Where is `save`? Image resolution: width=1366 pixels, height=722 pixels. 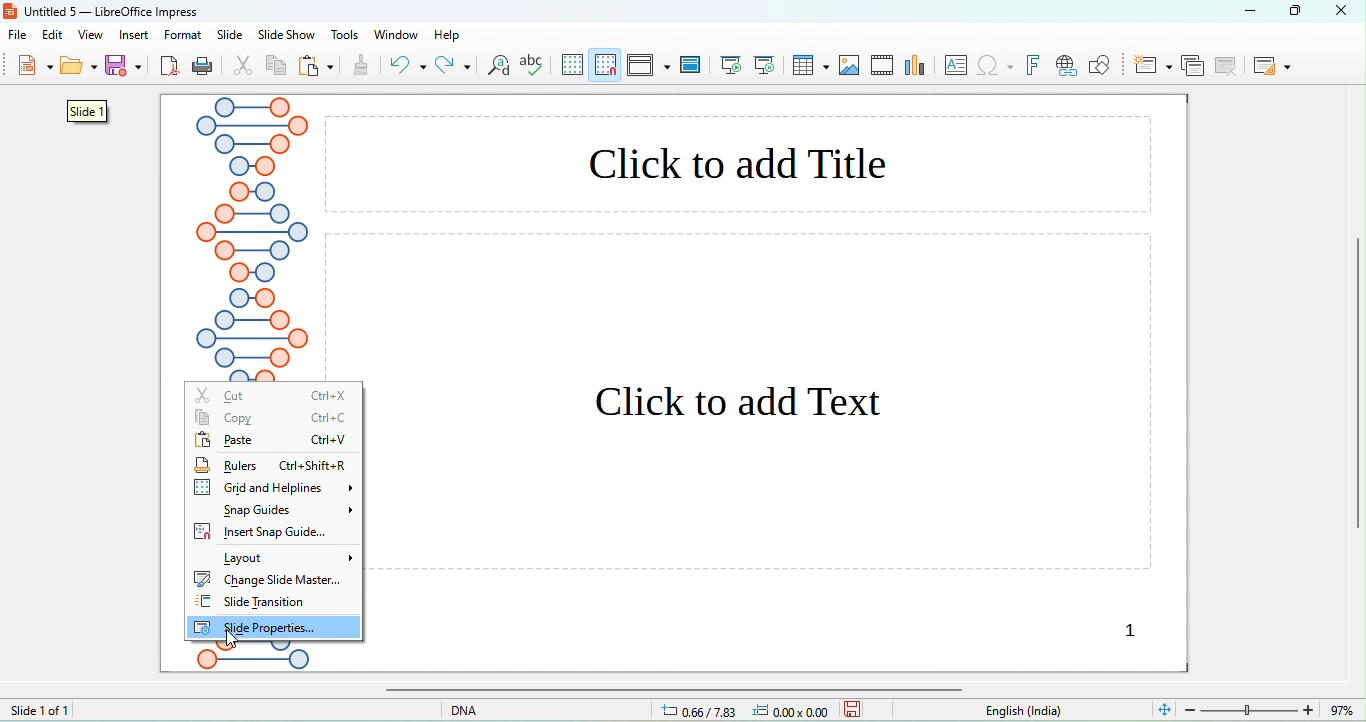 save is located at coordinates (126, 65).